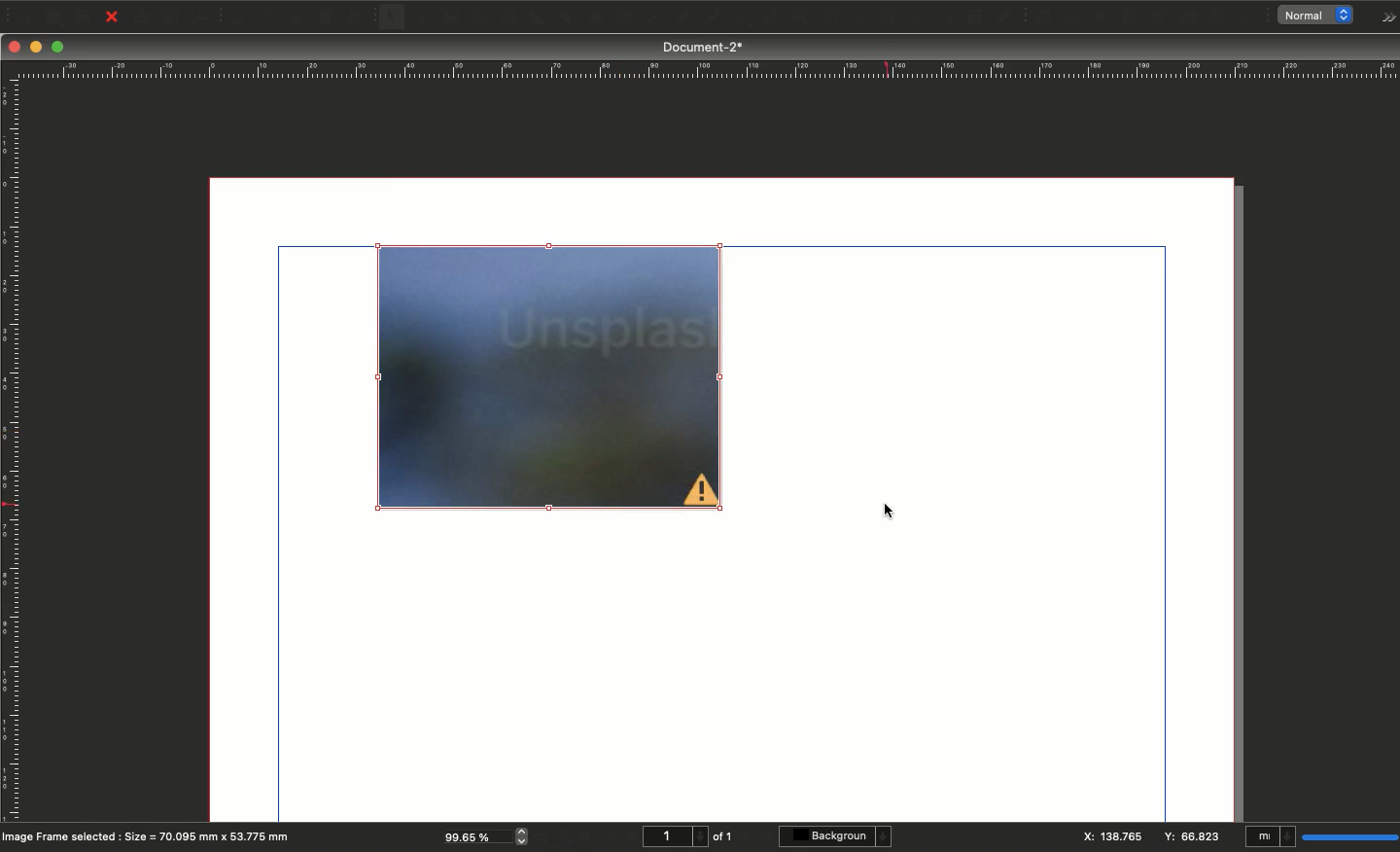 The image size is (1400, 852). Describe the element at coordinates (59, 49) in the screenshot. I see `Maximize` at that location.